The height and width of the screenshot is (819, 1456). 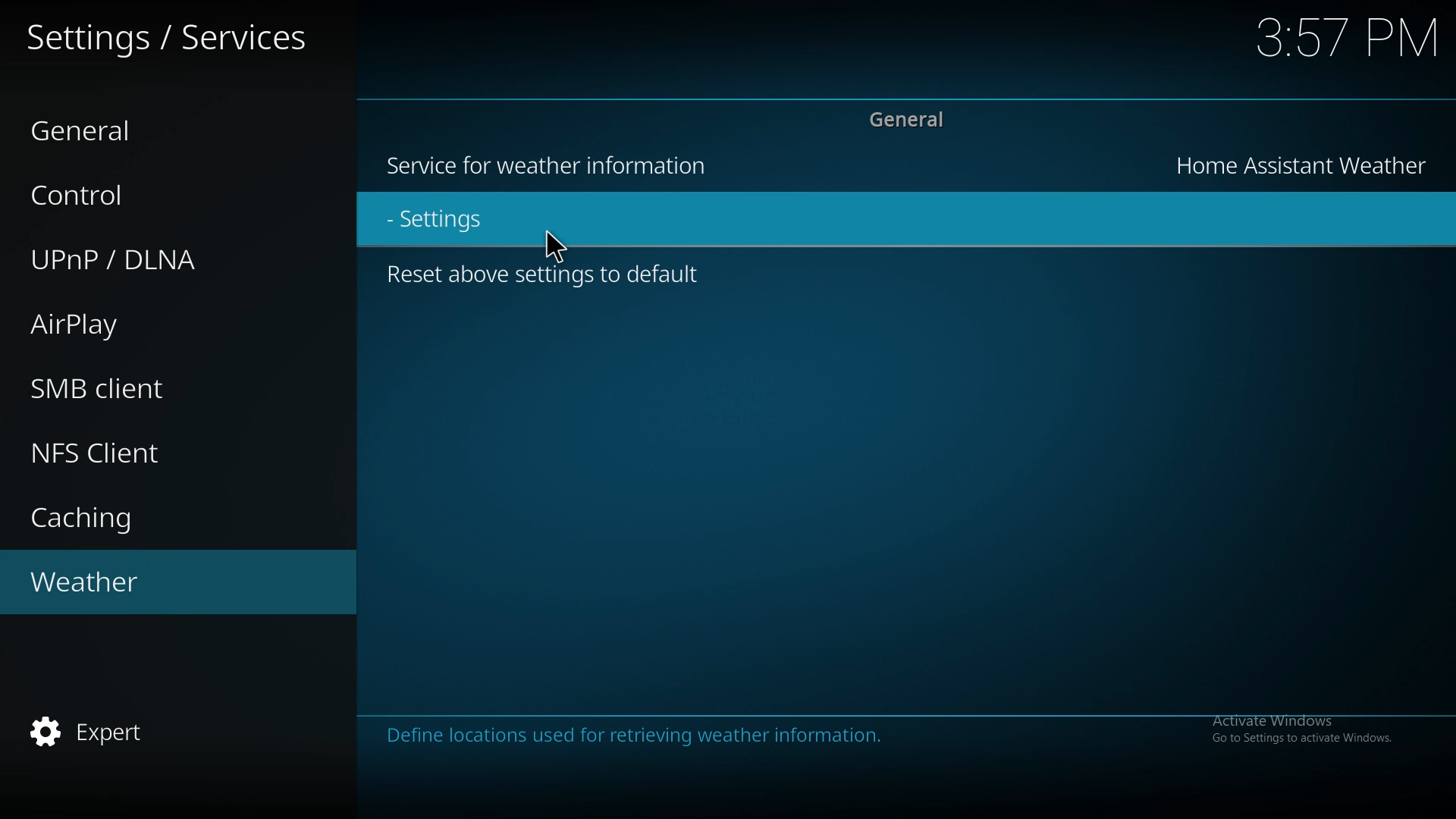 What do you see at coordinates (557, 241) in the screenshot?
I see `settings` at bounding box center [557, 241].